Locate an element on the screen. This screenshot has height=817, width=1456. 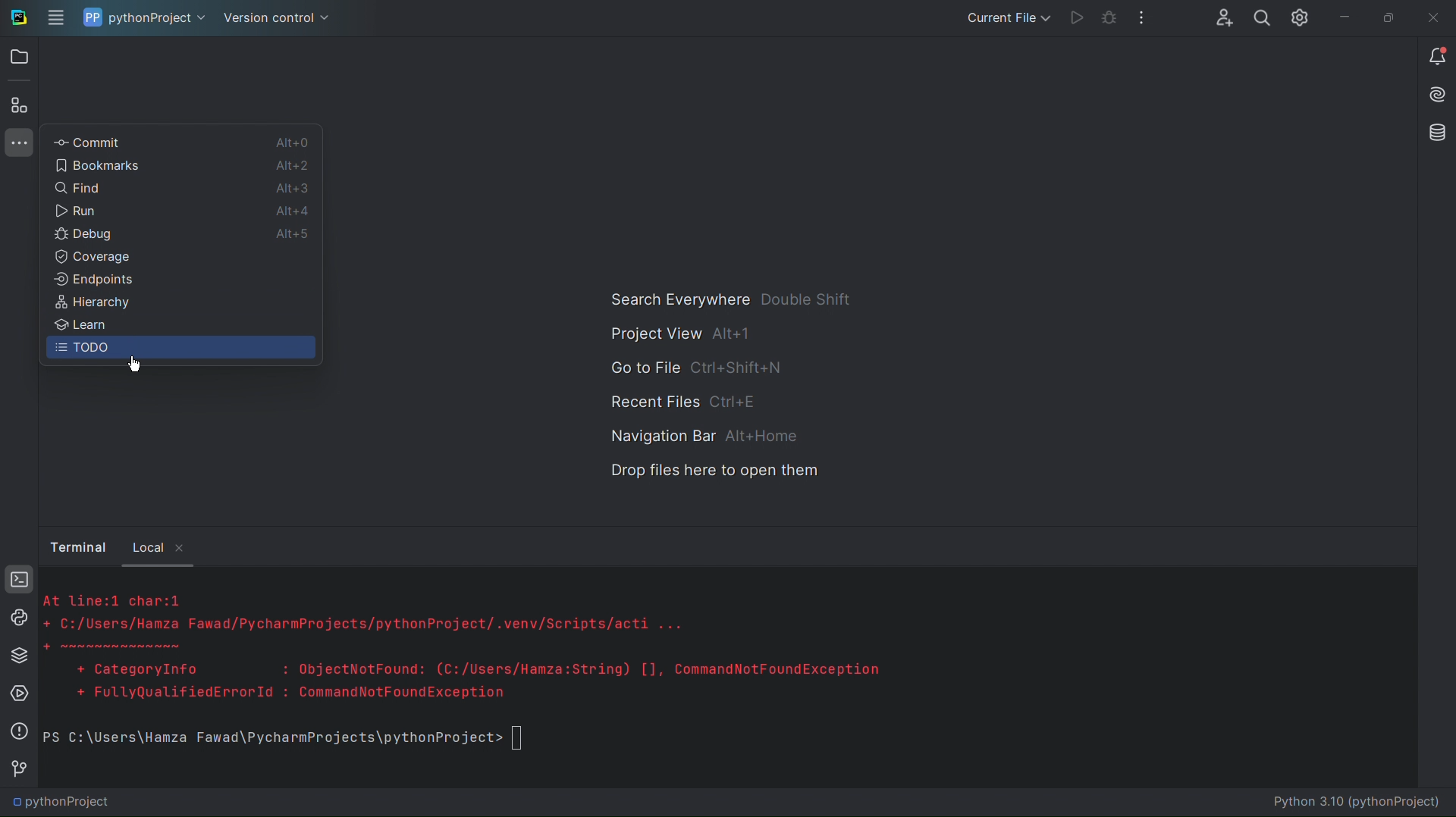
Databases is located at coordinates (1434, 133).